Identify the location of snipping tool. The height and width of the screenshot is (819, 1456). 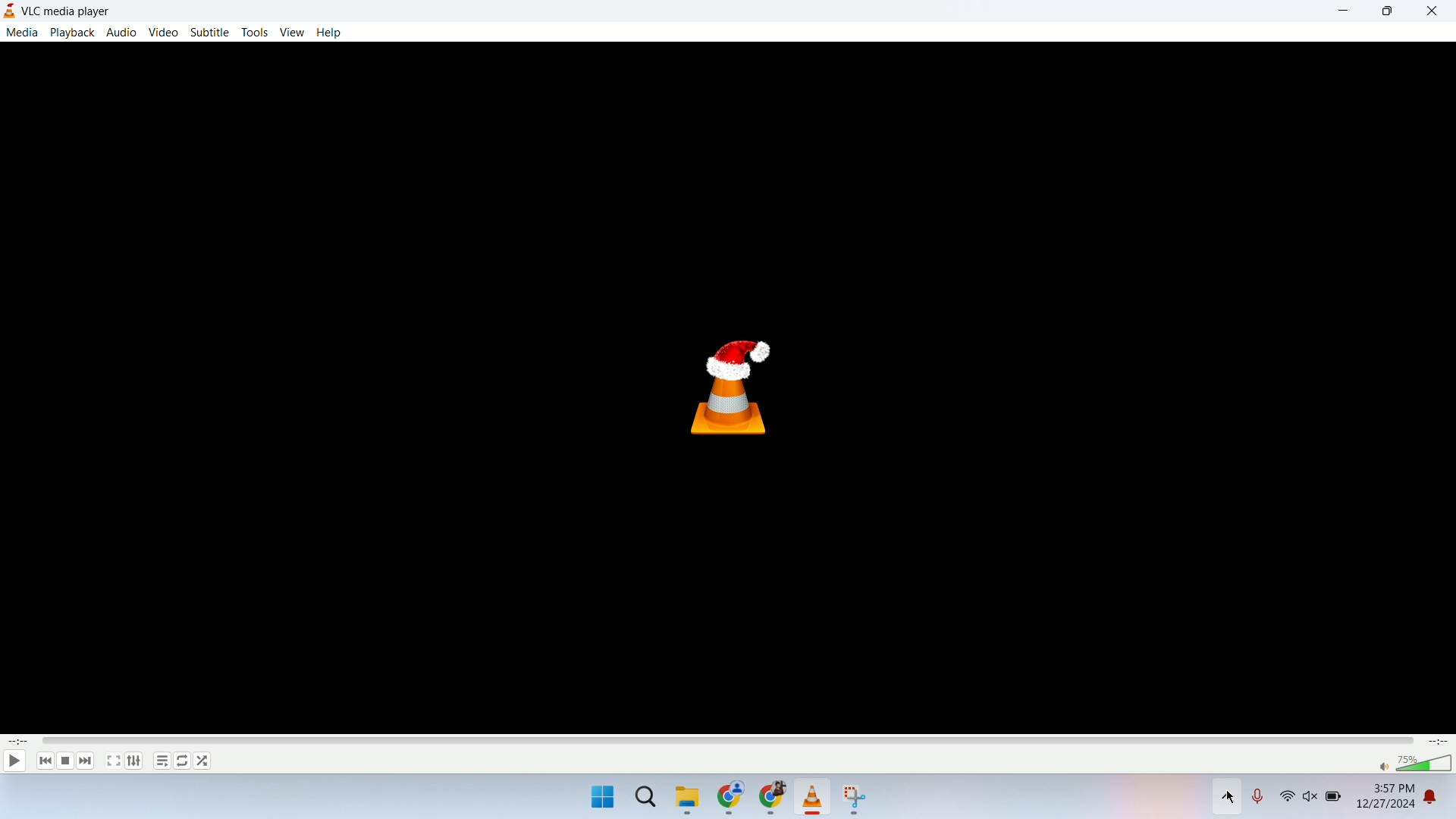
(856, 800).